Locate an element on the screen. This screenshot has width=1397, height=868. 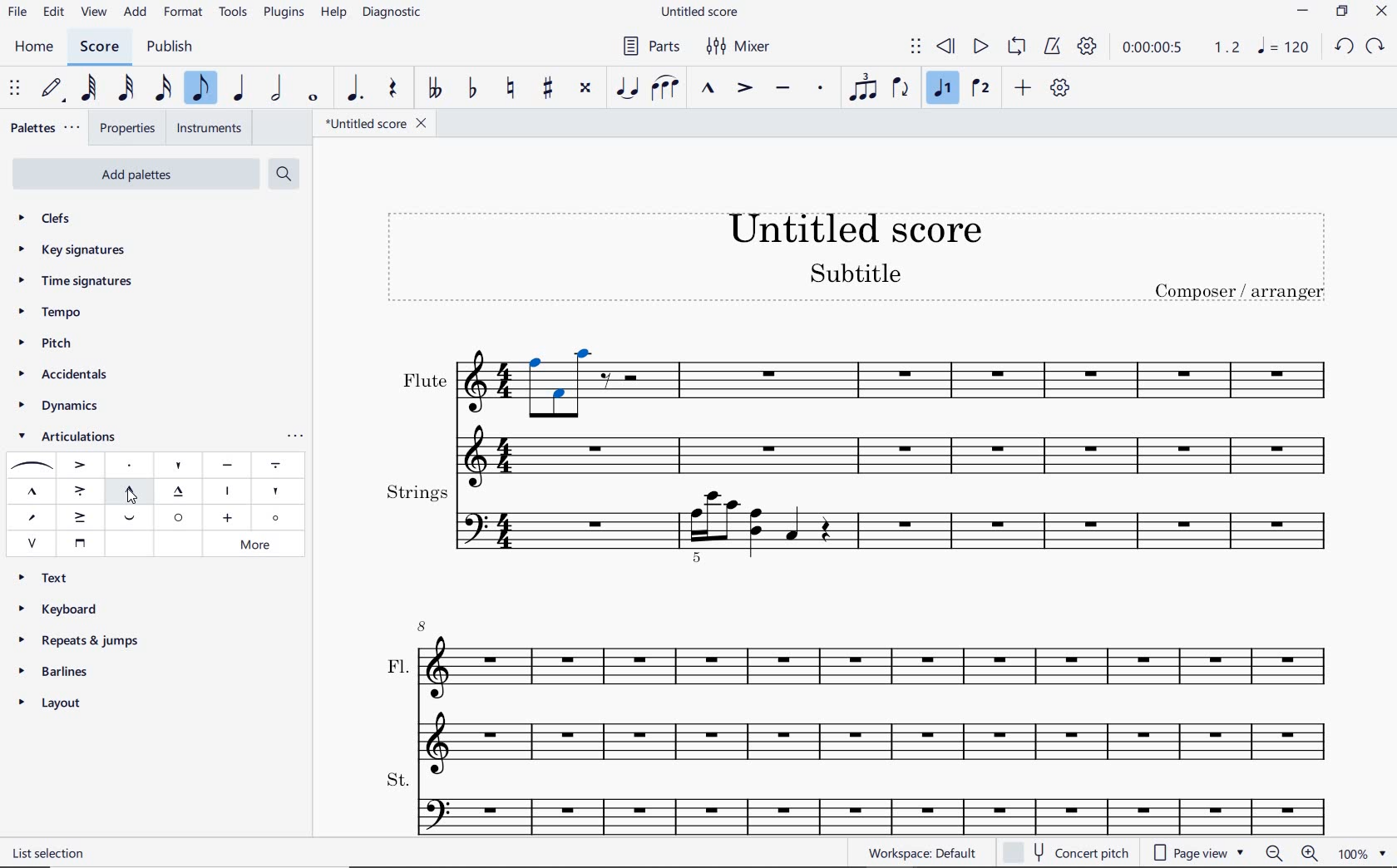
STACCATISSIMO WEDGE ABOVE is located at coordinates (274, 491).